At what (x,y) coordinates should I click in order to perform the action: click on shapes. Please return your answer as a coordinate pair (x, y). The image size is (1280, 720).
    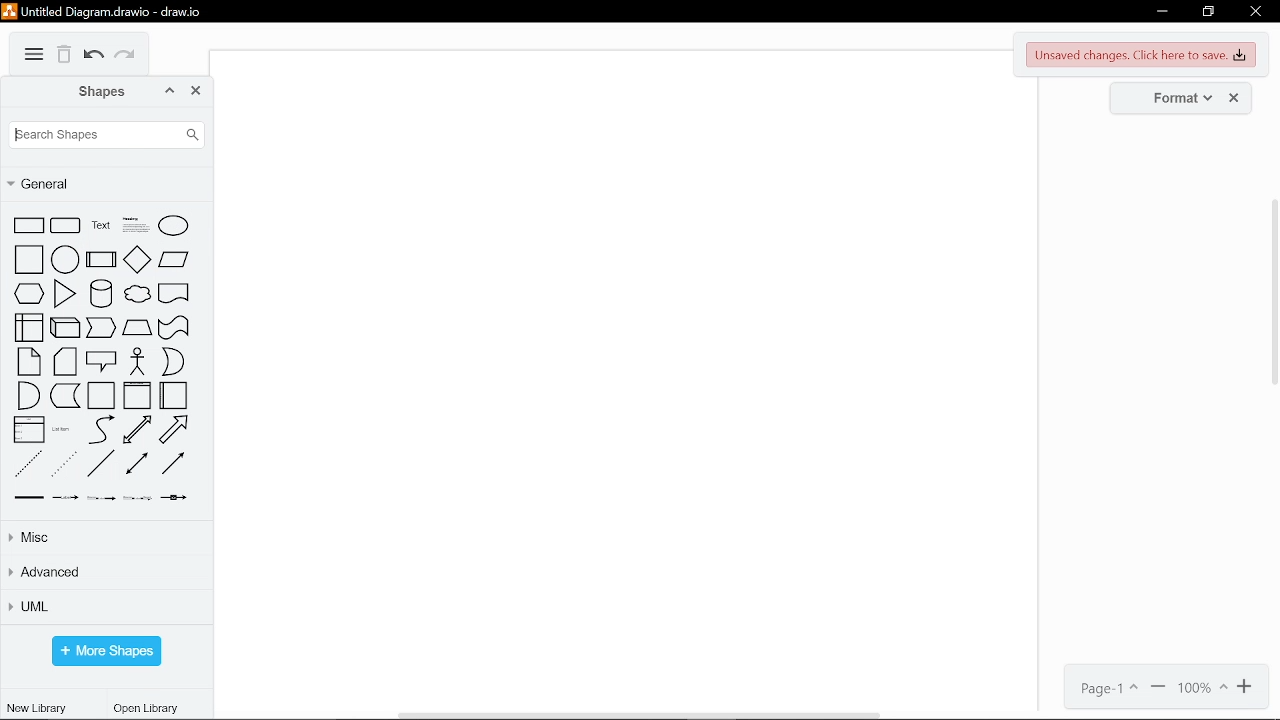
    Looking at the image, I should click on (91, 91).